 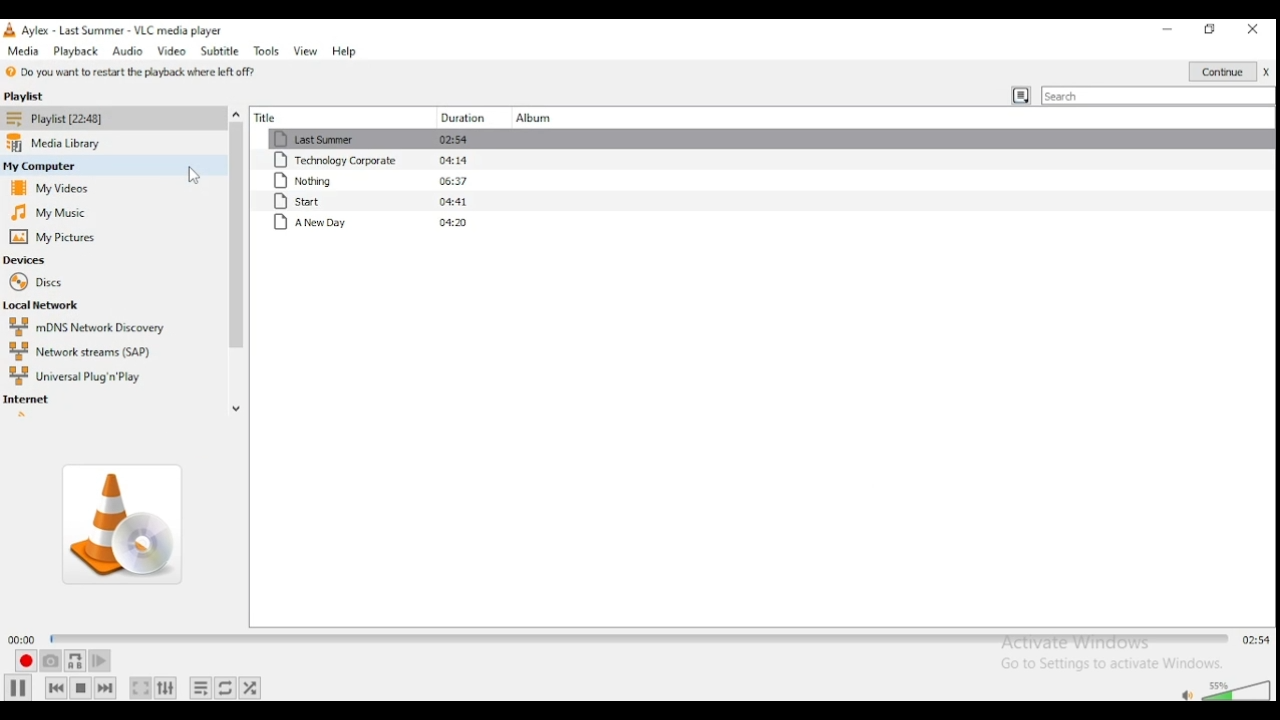 What do you see at coordinates (102, 660) in the screenshot?
I see `frame by frame` at bounding box center [102, 660].